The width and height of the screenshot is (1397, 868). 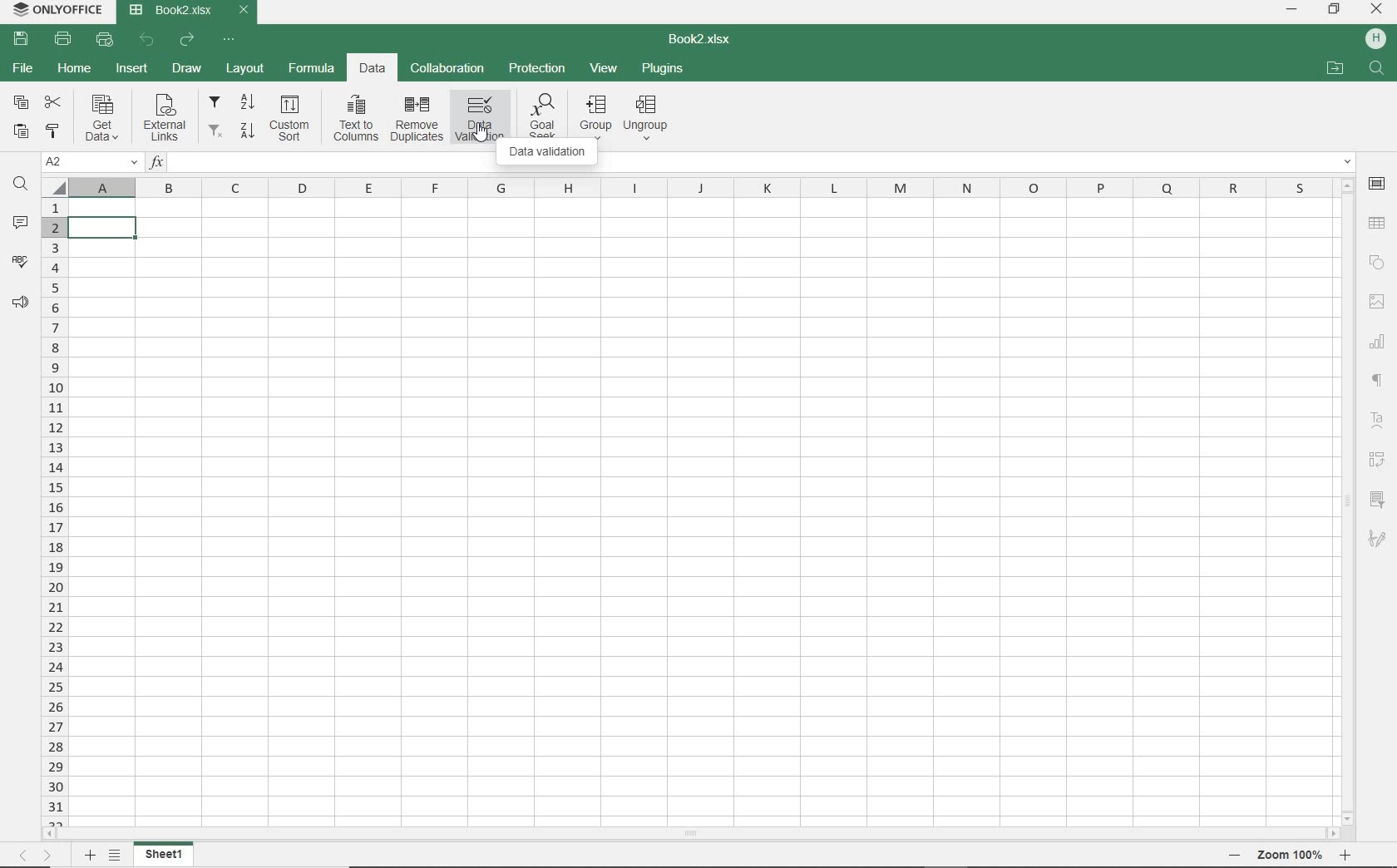 What do you see at coordinates (106, 117) in the screenshot?
I see `get data` at bounding box center [106, 117].